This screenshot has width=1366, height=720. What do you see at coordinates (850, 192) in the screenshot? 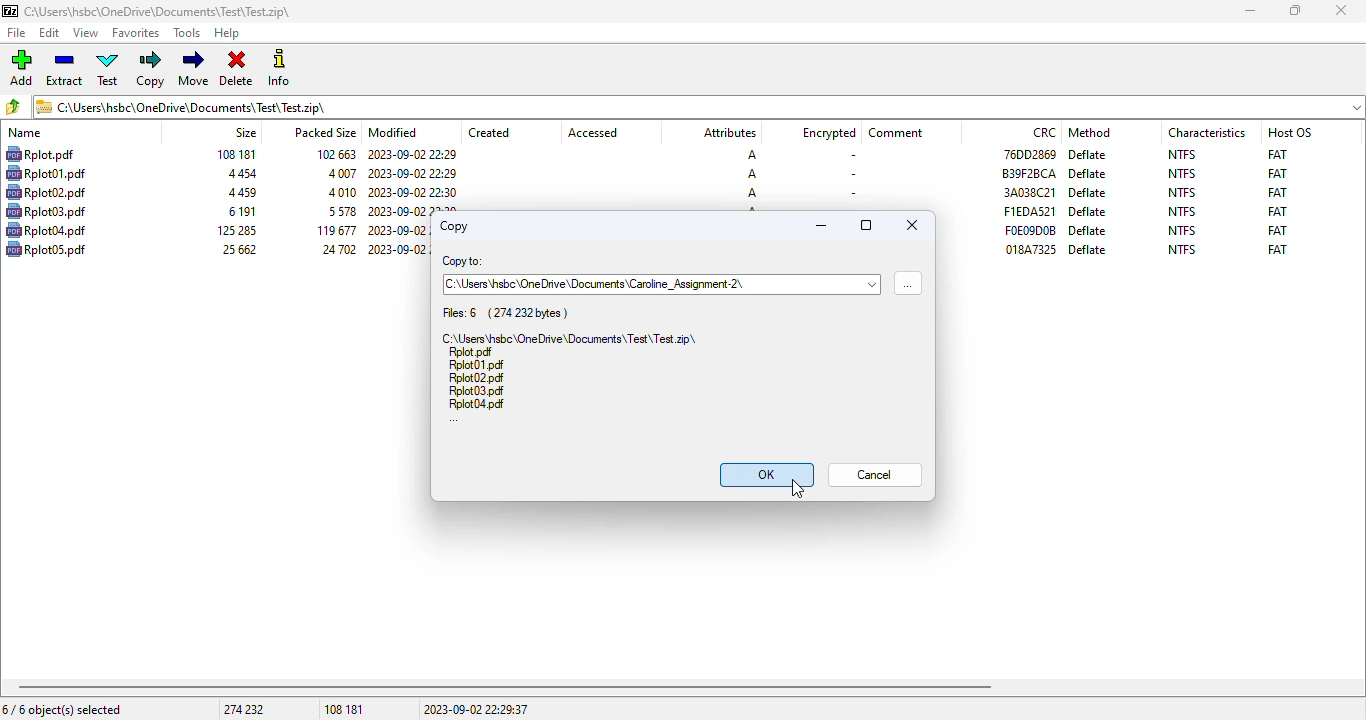
I see `-` at bounding box center [850, 192].